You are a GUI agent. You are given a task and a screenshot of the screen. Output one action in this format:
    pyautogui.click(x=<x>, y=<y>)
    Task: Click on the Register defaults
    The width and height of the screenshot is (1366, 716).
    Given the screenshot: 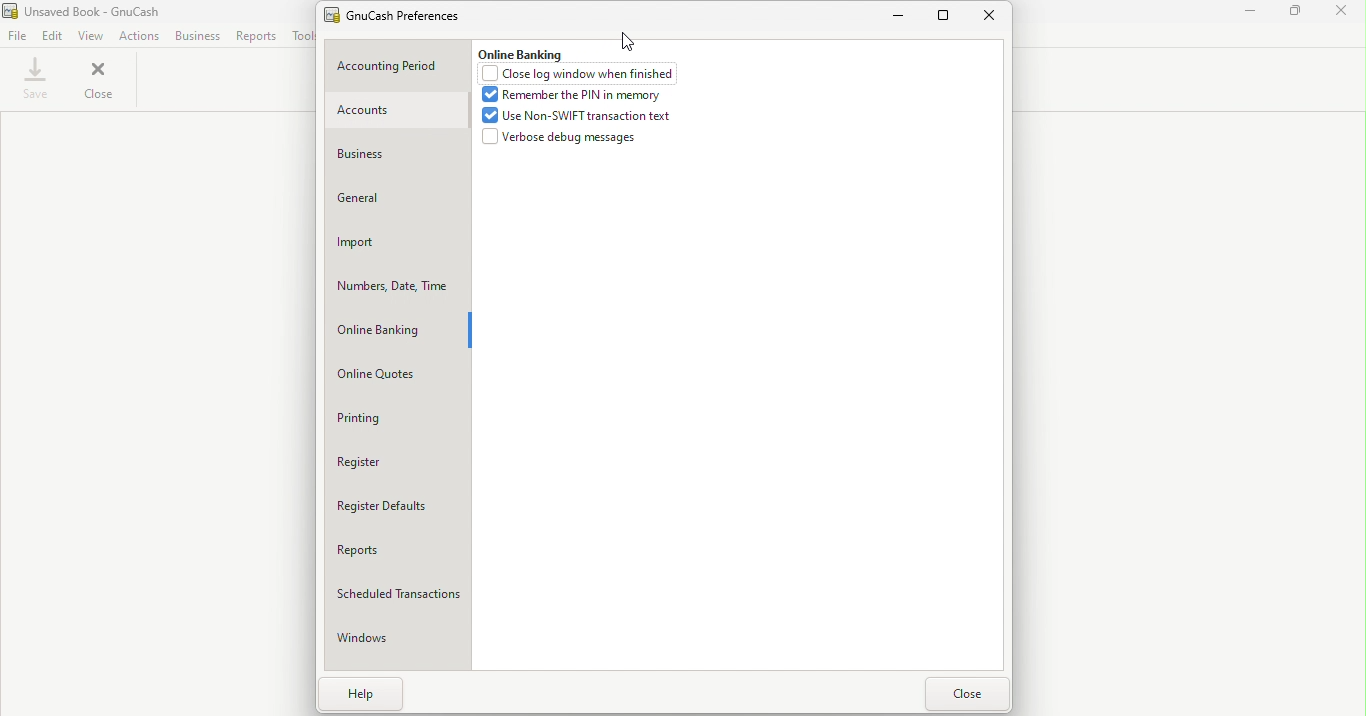 What is the action you would take?
    pyautogui.click(x=399, y=508)
    